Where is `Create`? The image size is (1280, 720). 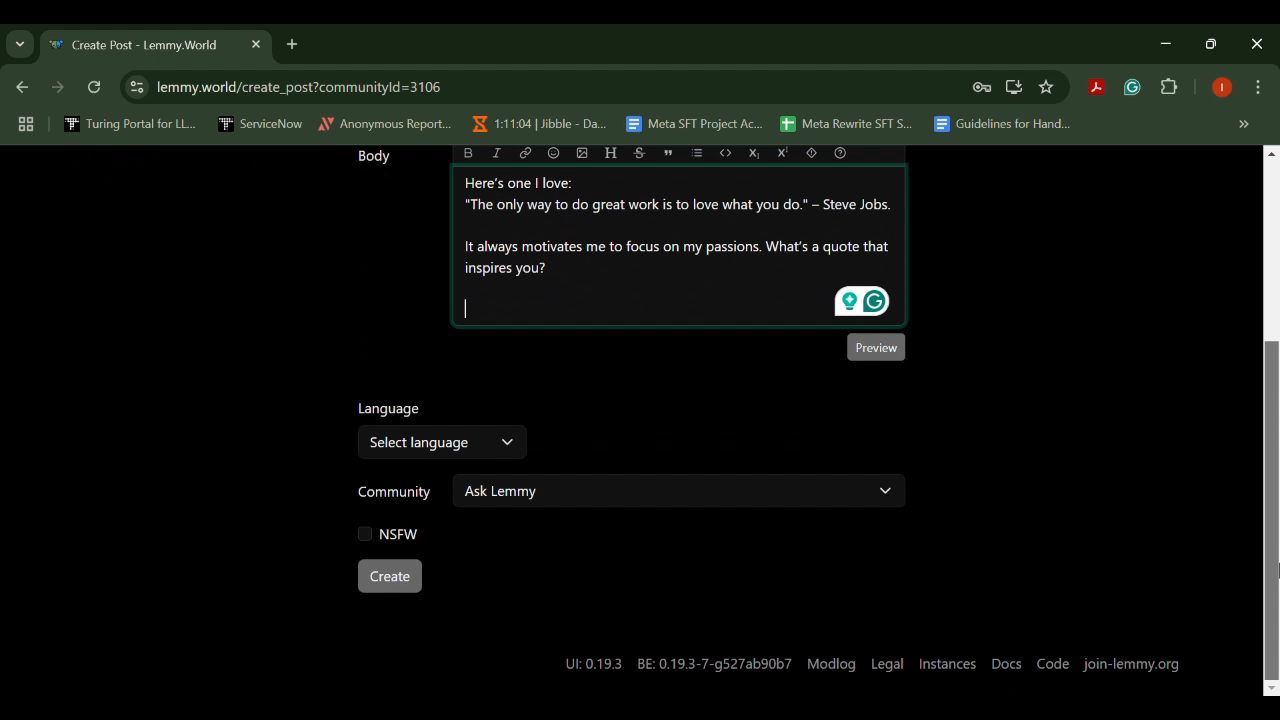
Create is located at coordinates (389, 577).